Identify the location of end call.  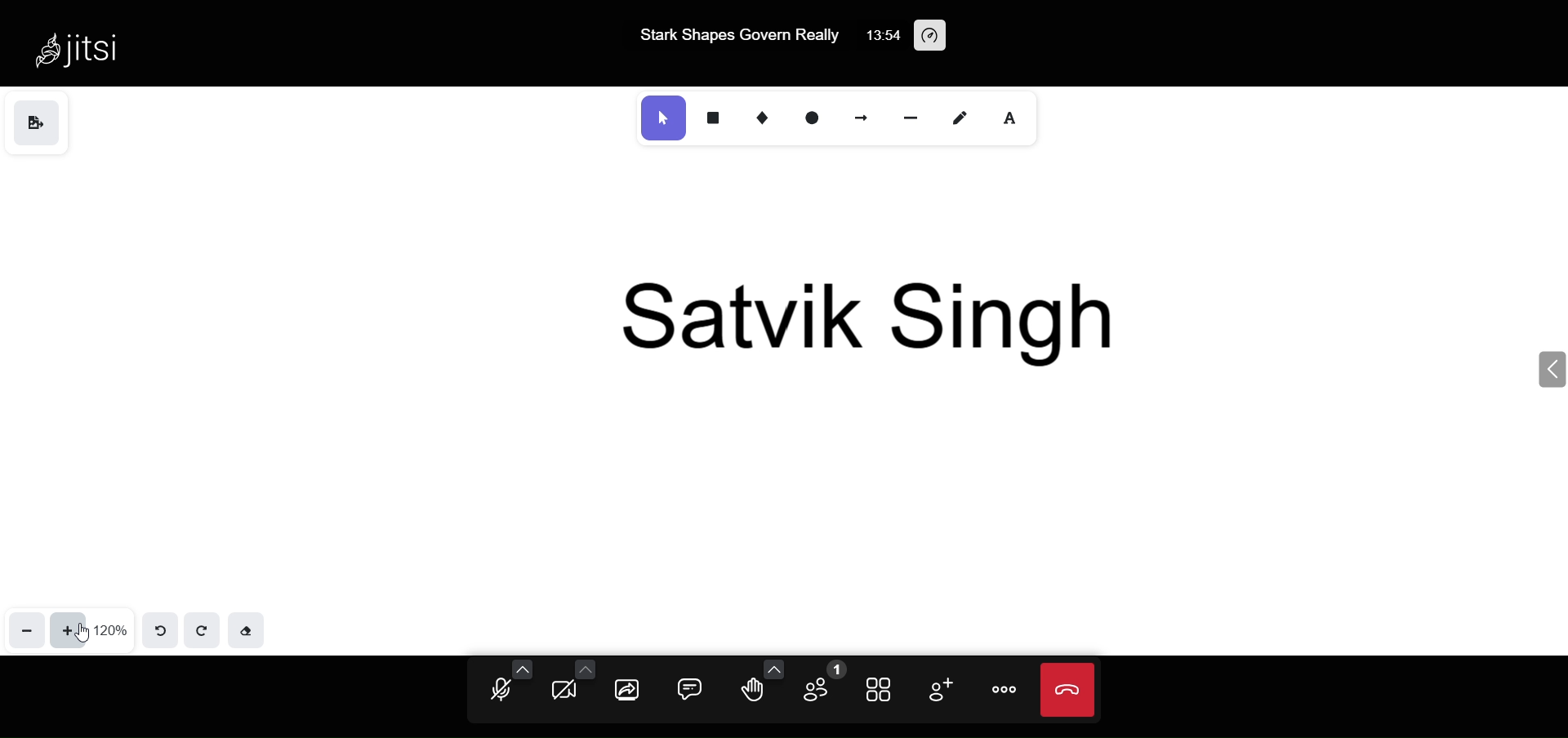
(1069, 691).